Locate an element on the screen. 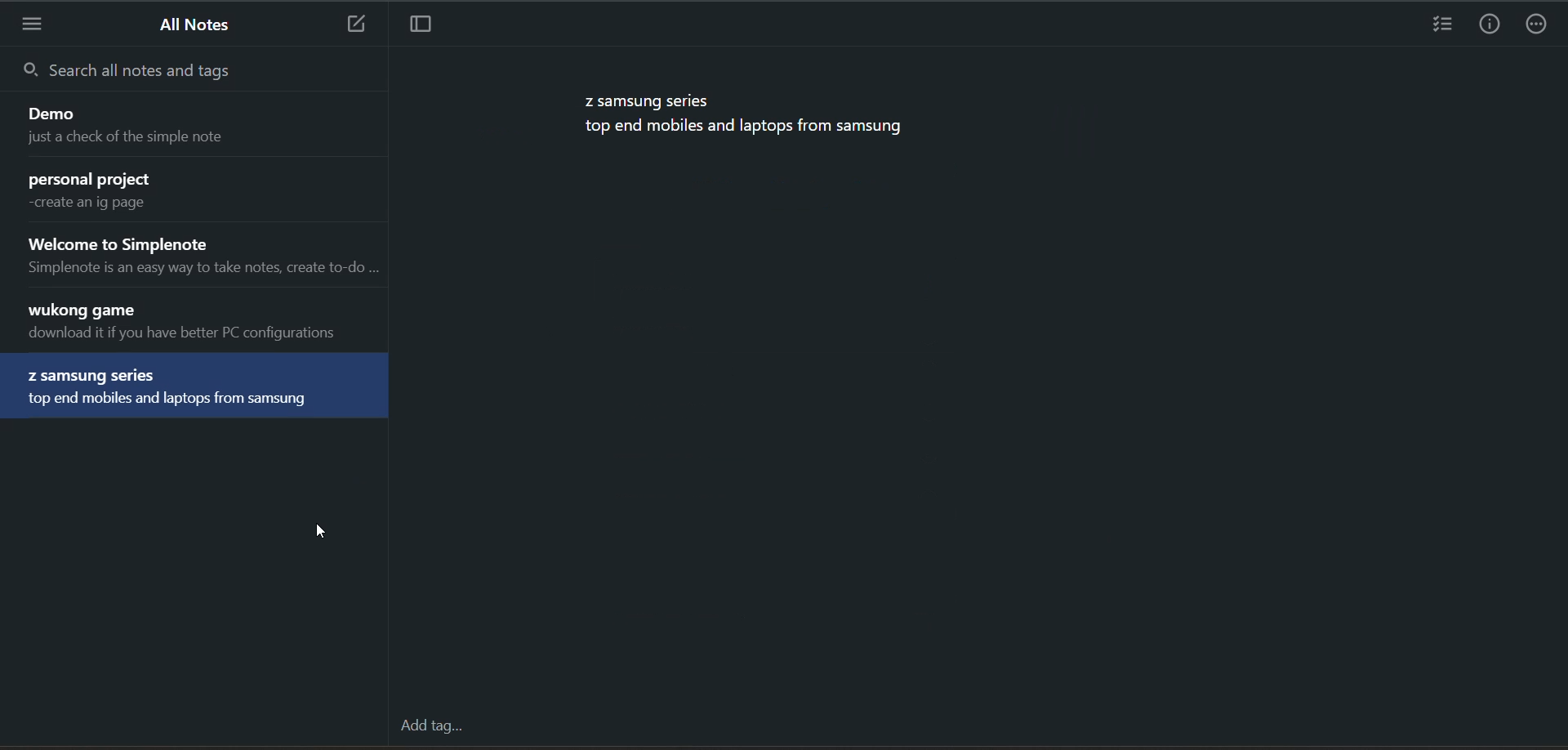 The height and width of the screenshot is (750, 1568). cursor is located at coordinates (319, 532).